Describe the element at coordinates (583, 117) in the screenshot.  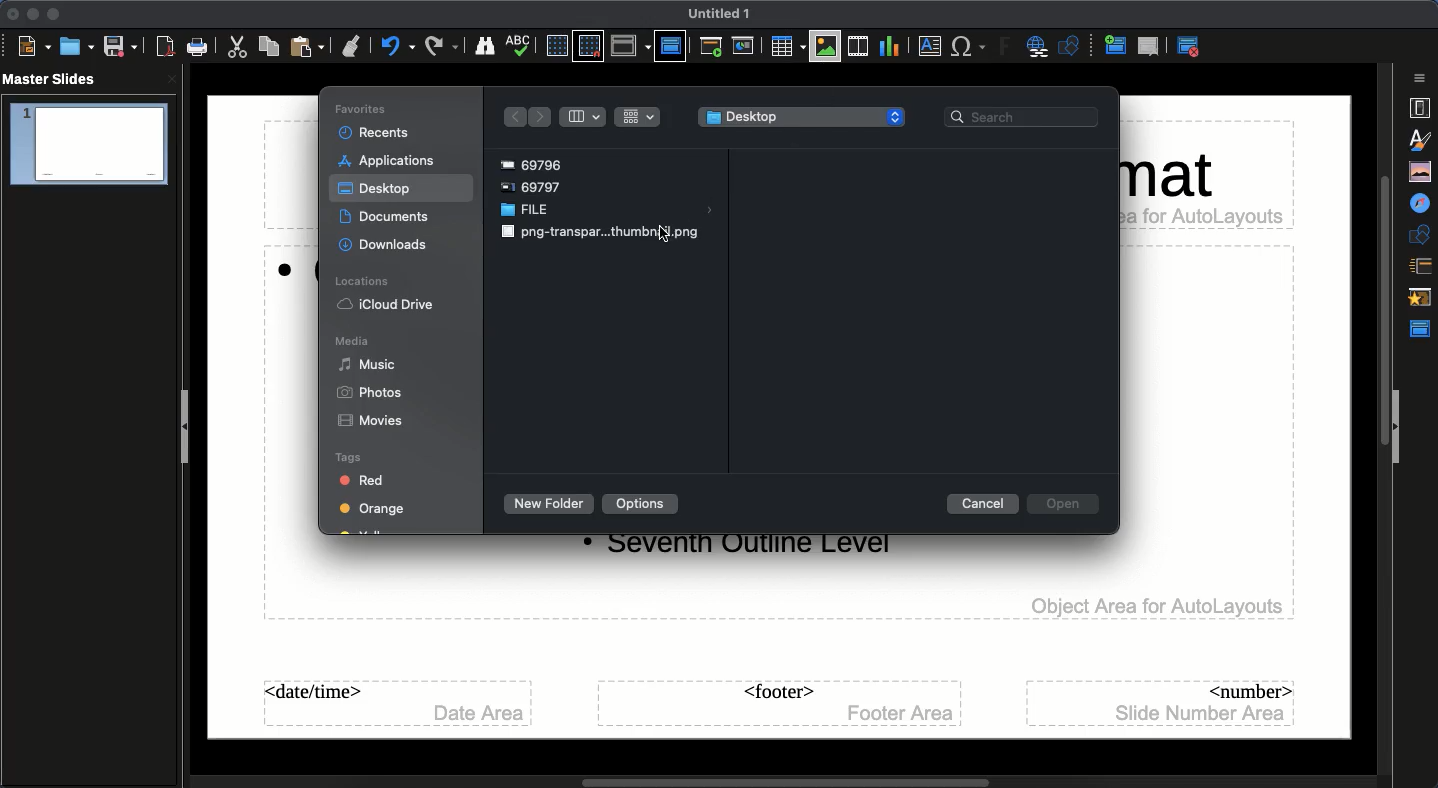
I see `Column` at that location.